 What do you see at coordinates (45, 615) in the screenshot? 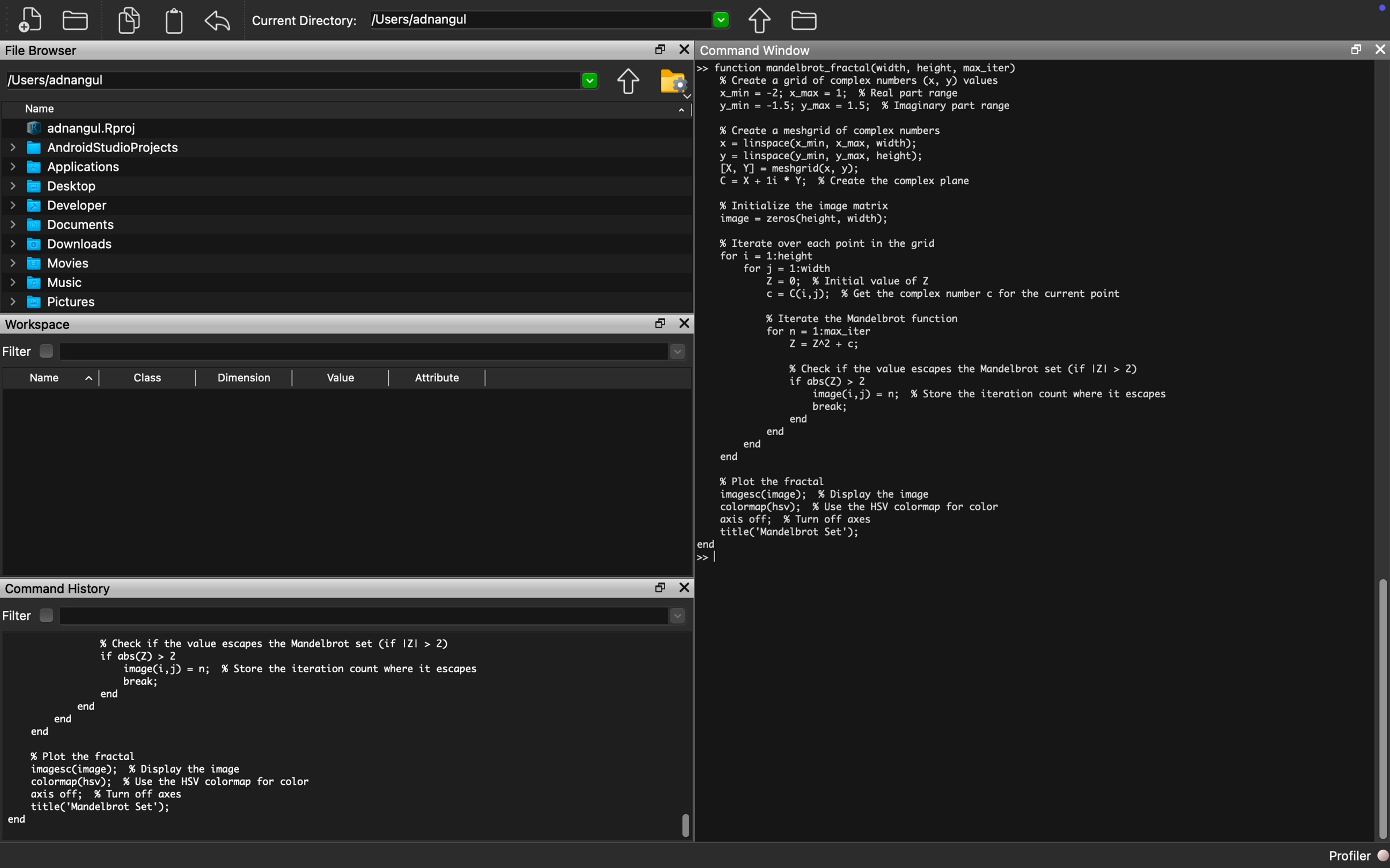
I see `Checkbox` at bounding box center [45, 615].